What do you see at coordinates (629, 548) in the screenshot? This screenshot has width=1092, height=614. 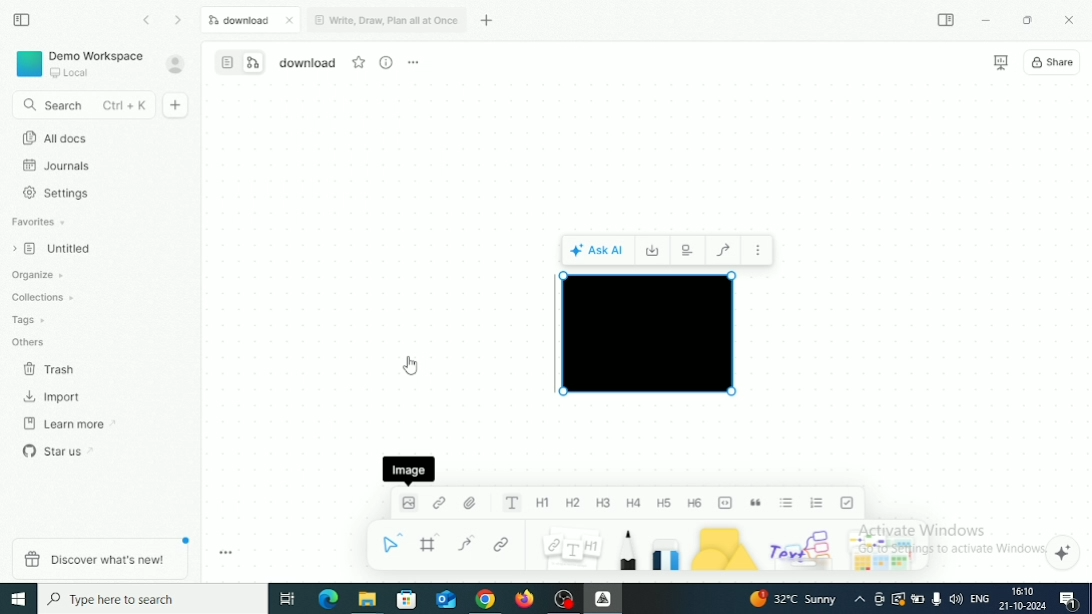 I see `Pen` at bounding box center [629, 548].